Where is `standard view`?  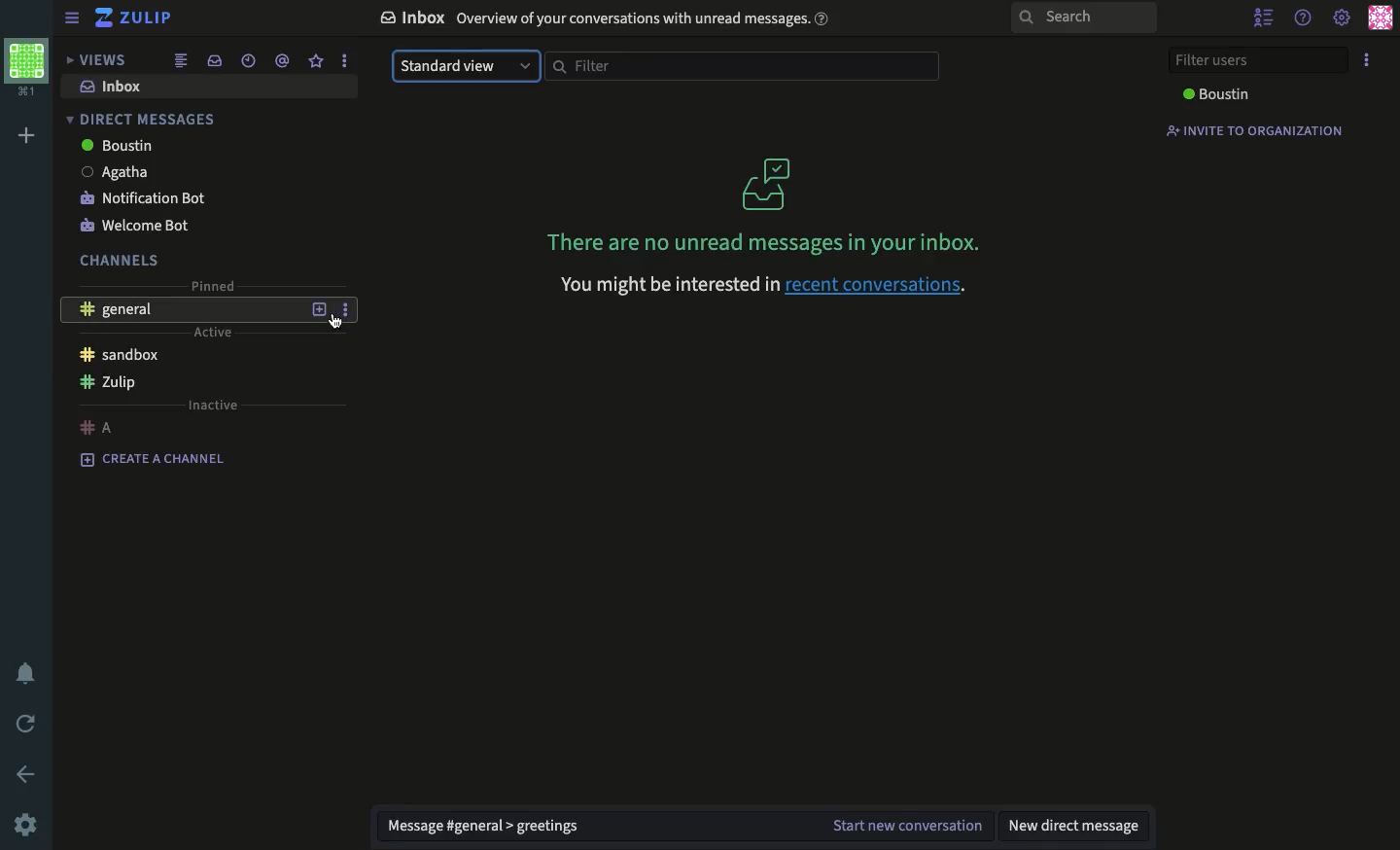 standard view is located at coordinates (466, 66).